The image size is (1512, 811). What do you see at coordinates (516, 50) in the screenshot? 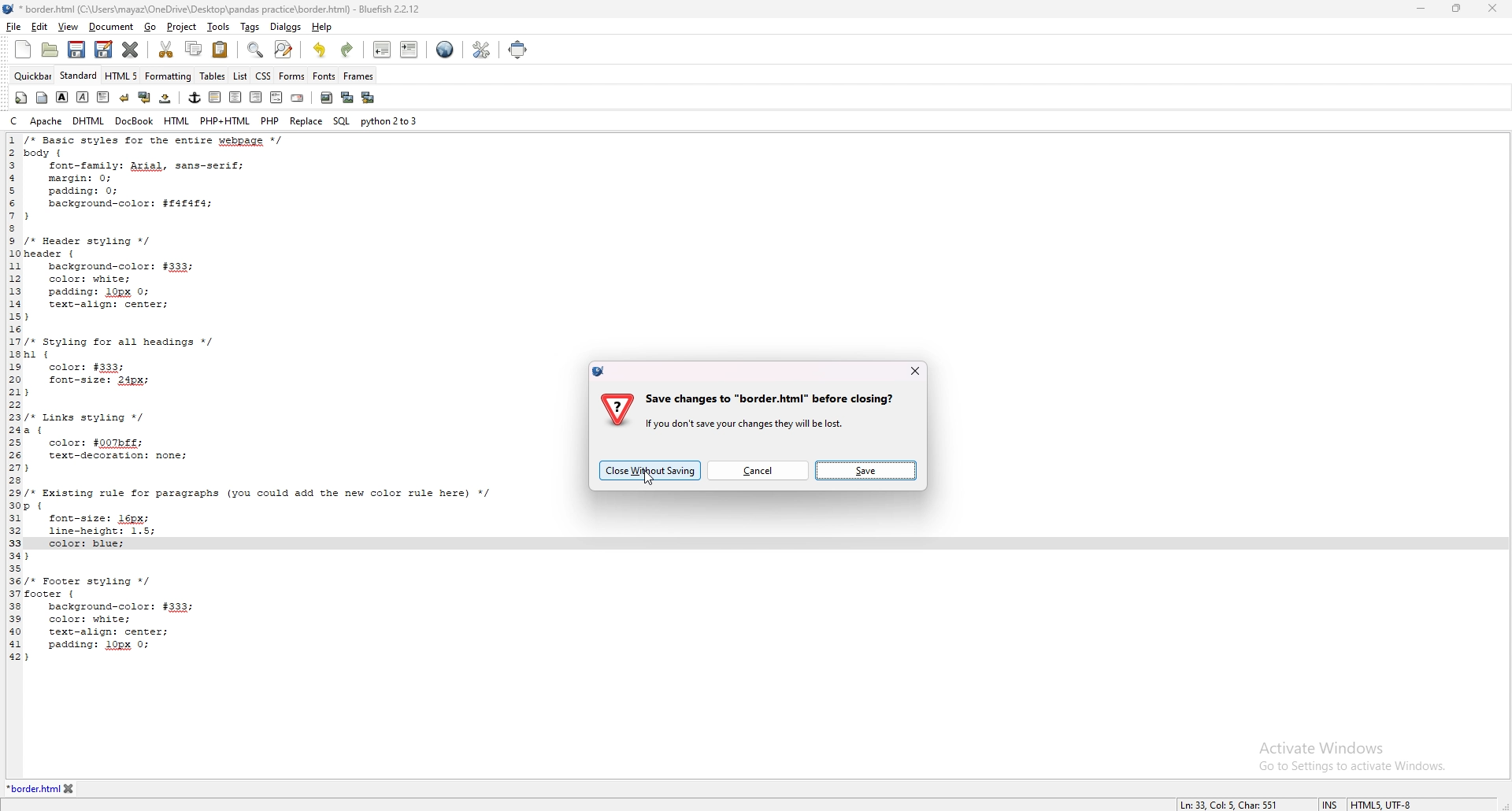
I see `full screen` at bounding box center [516, 50].